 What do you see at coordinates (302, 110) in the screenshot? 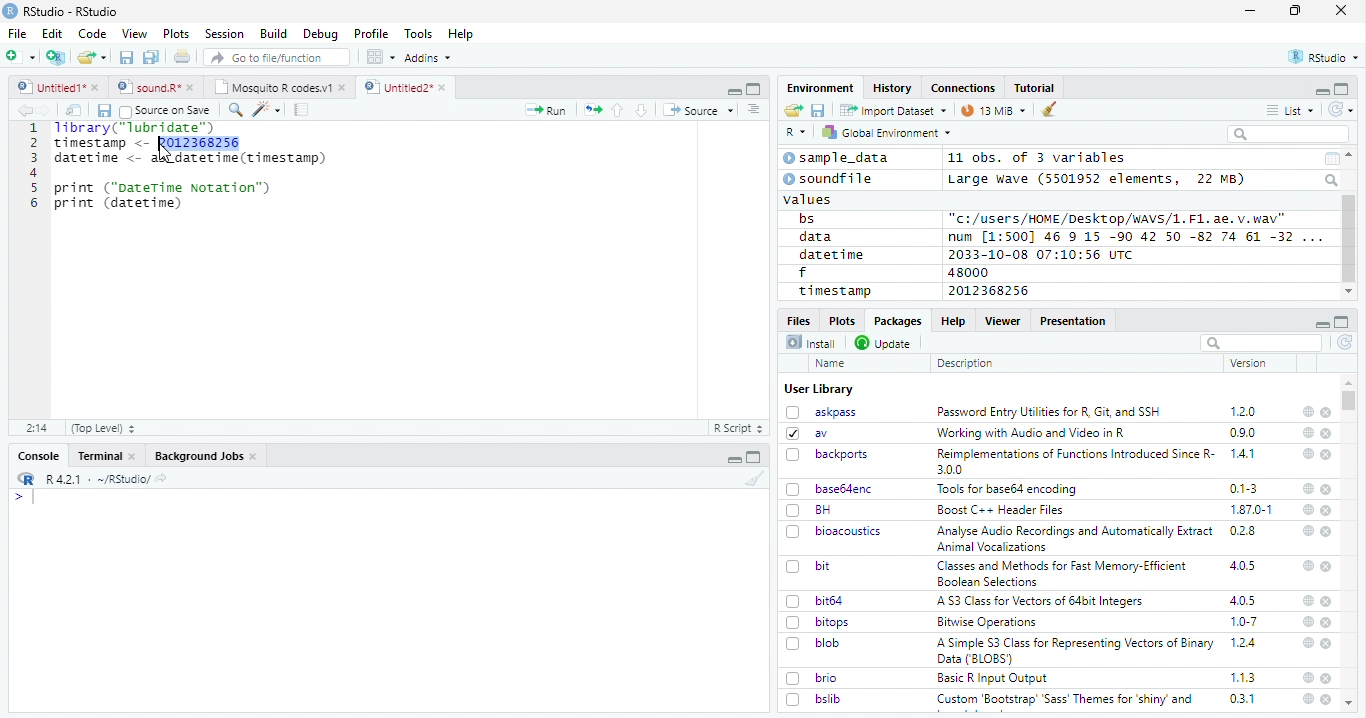
I see `Compile report` at bounding box center [302, 110].